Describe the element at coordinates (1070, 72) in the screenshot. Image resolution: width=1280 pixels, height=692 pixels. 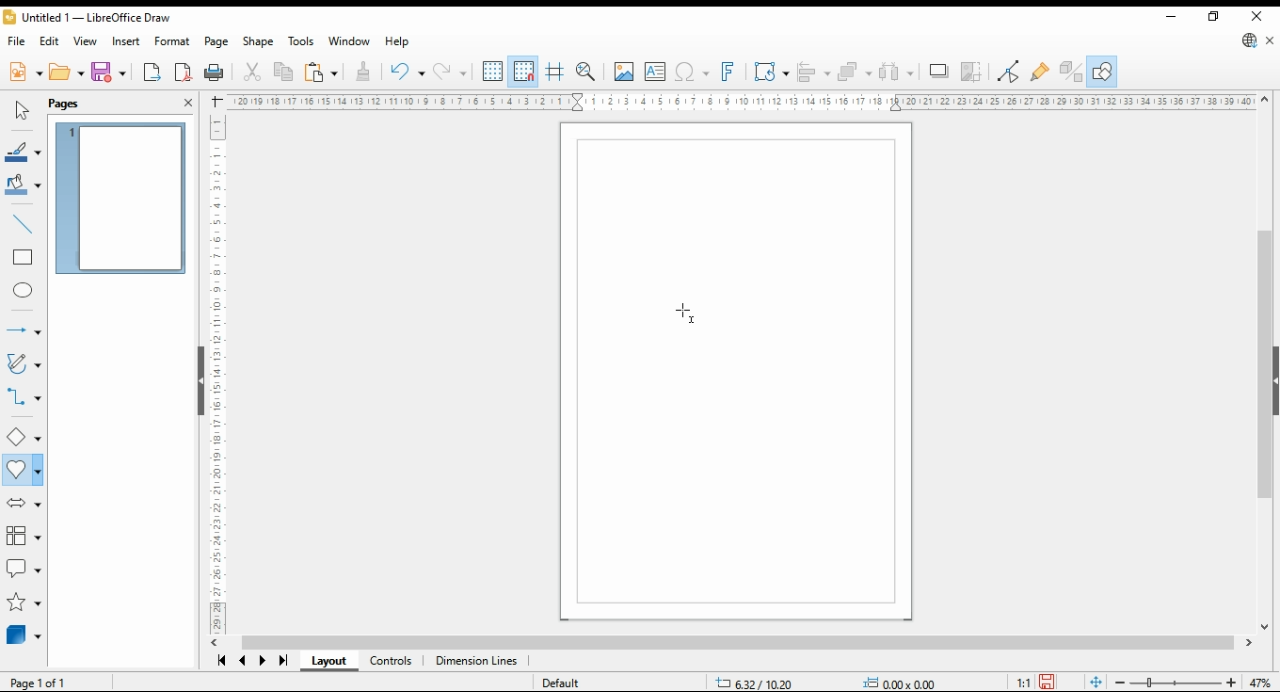
I see `toggle extrusions` at that location.